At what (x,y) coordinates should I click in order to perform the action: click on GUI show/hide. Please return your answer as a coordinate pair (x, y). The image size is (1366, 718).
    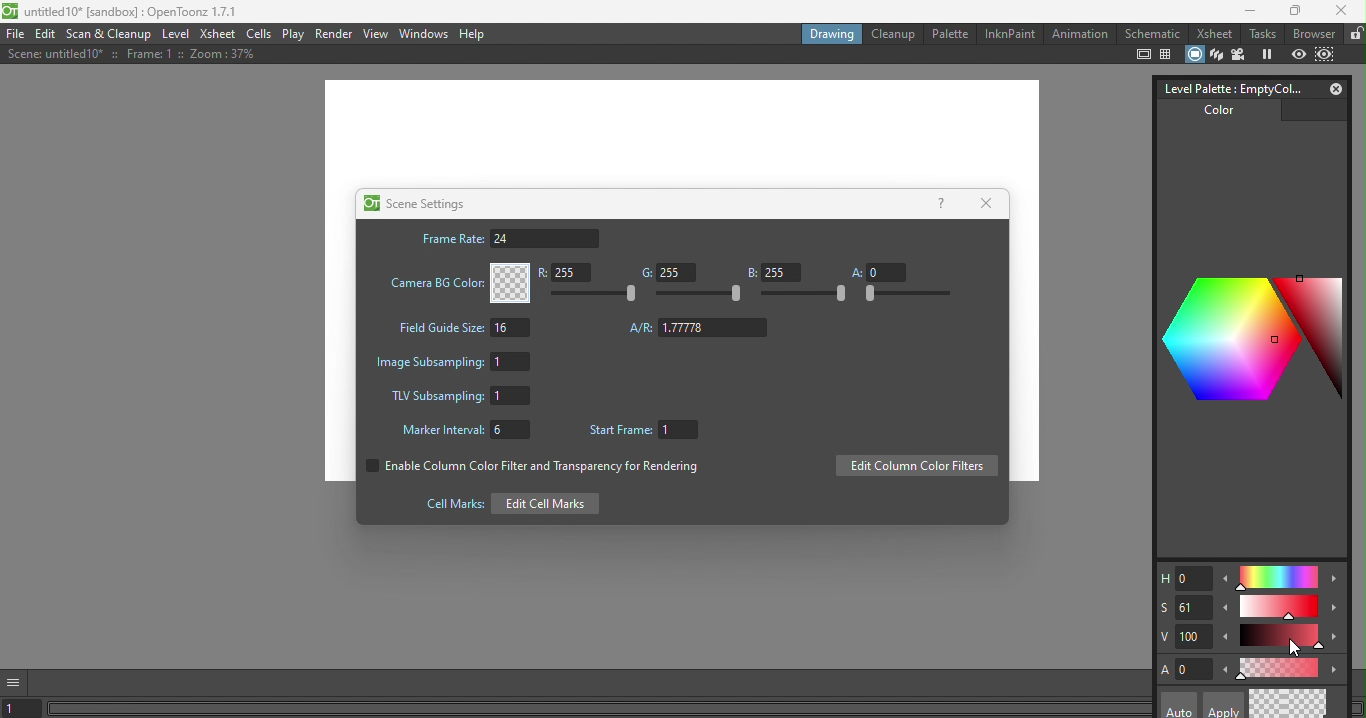
    Looking at the image, I should click on (17, 681).